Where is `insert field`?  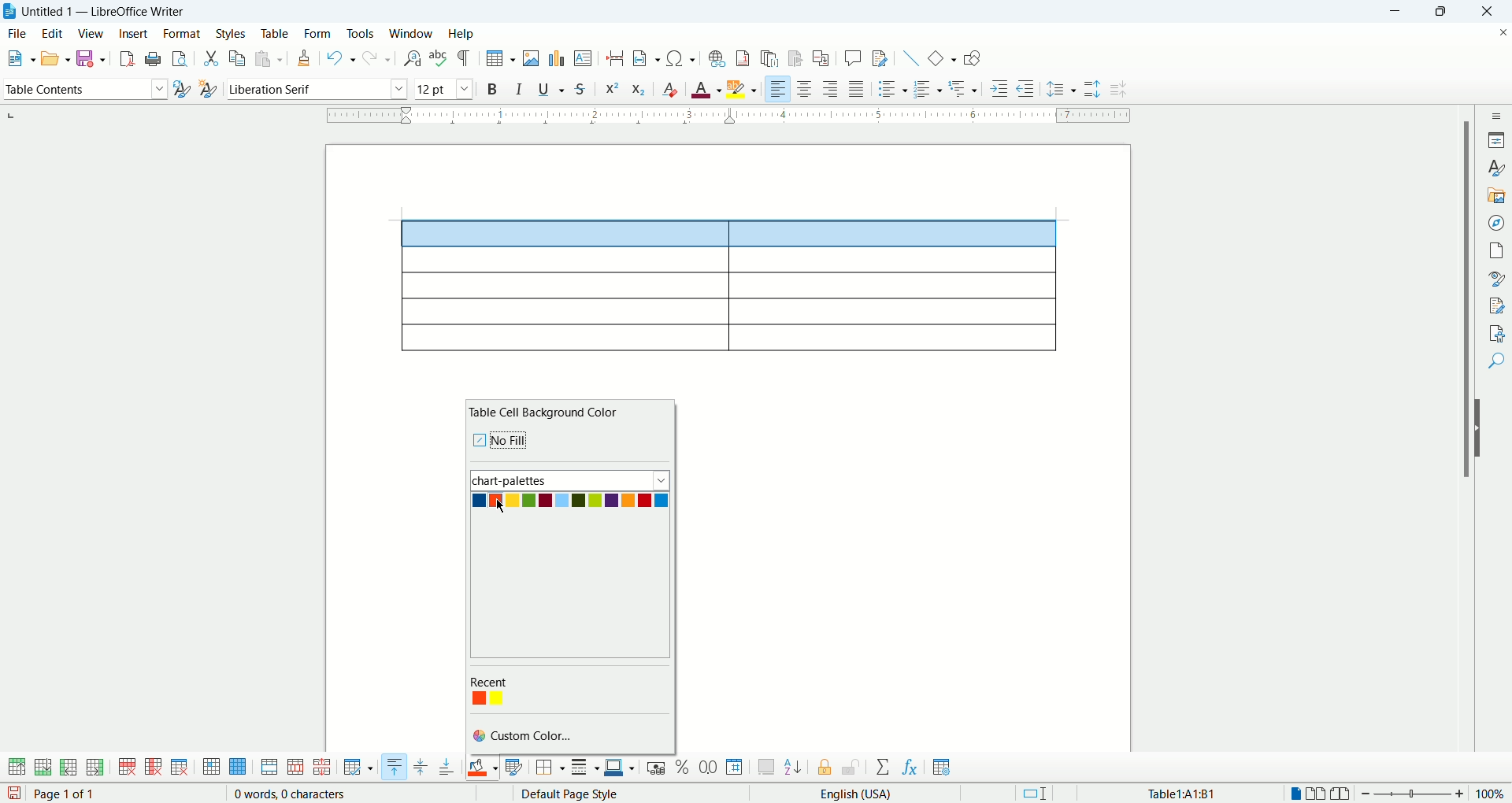 insert field is located at coordinates (648, 57).